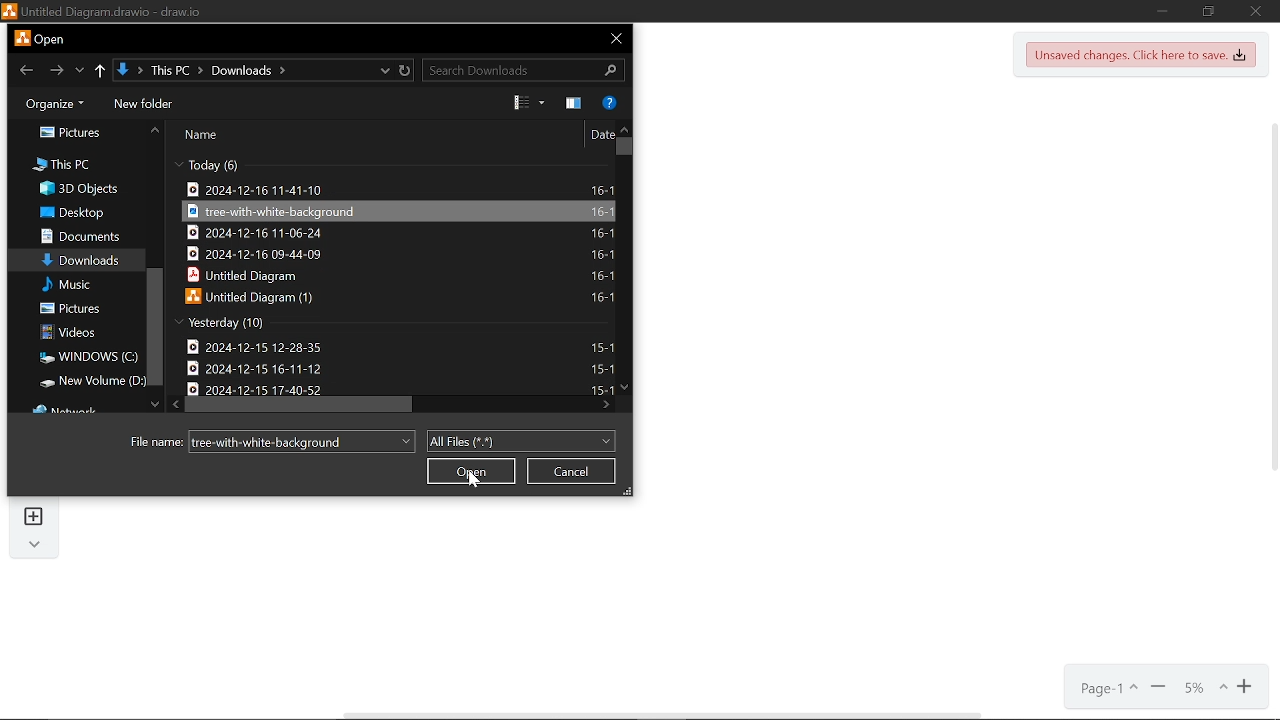 The height and width of the screenshot is (720, 1280). Describe the element at coordinates (1142, 55) in the screenshot. I see `Unsaved changes` at that location.